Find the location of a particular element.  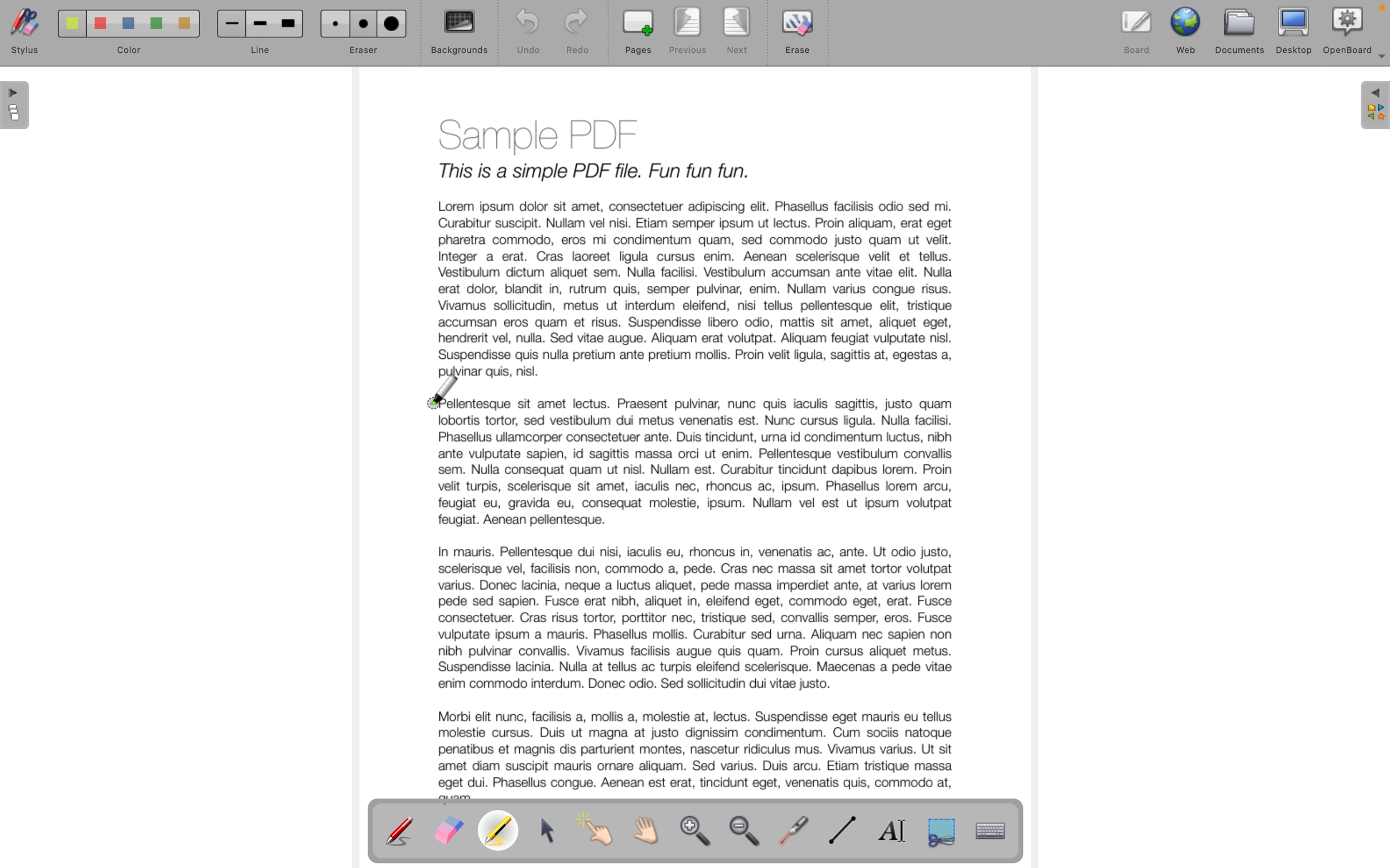

pen is located at coordinates (400, 830).